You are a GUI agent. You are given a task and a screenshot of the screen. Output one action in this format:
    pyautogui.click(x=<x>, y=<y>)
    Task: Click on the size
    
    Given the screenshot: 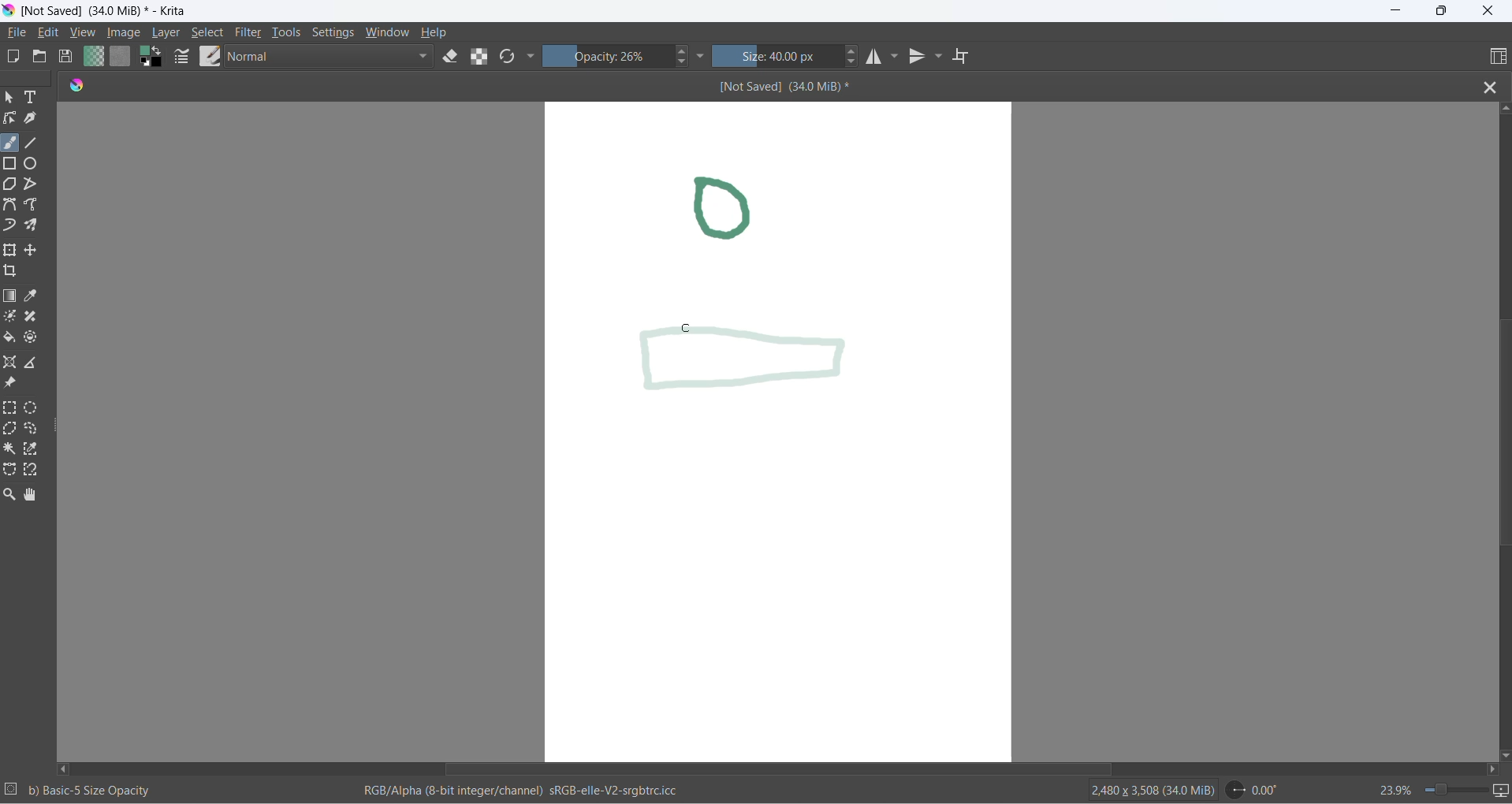 What is the action you would take?
    pyautogui.click(x=780, y=56)
    